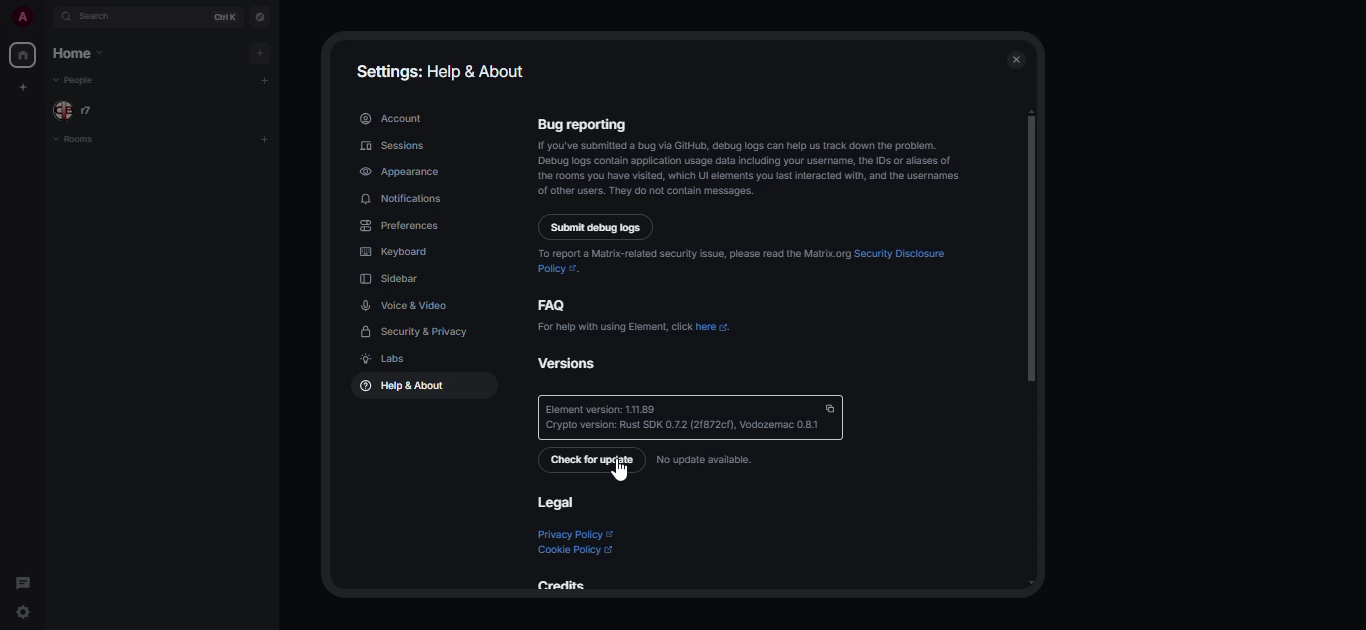  Describe the element at coordinates (559, 304) in the screenshot. I see `faq` at that location.